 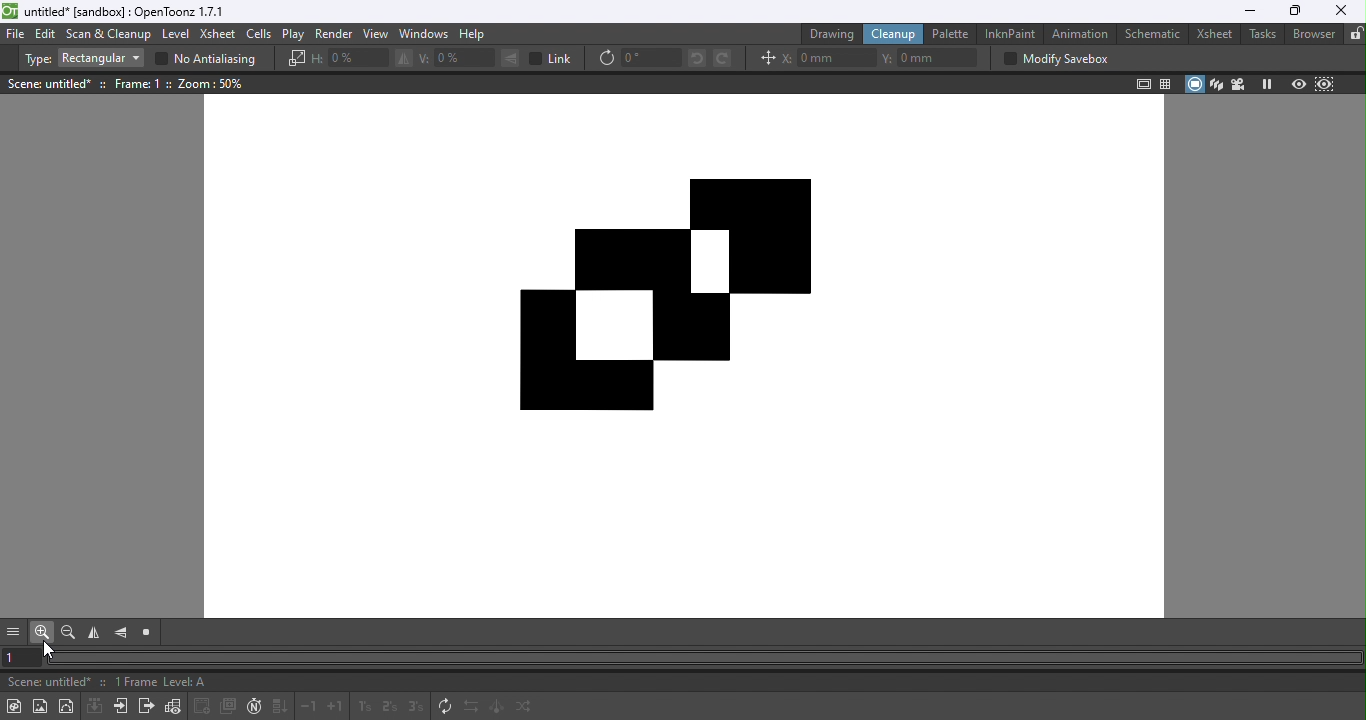 What do you see at coordinates (552, 58) in the screenshot?
I see `Link` at bounding box center [552, 58].